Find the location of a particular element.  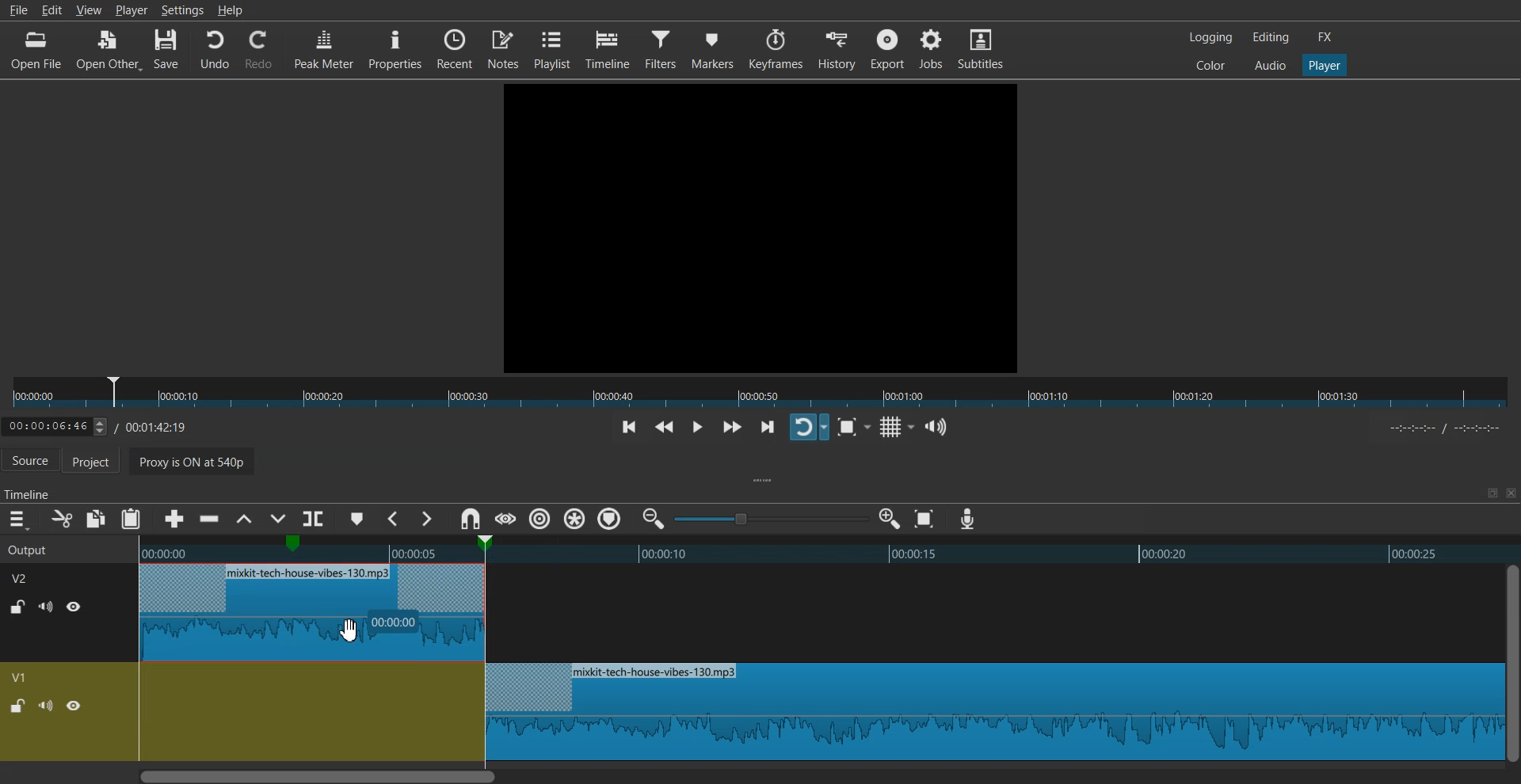

Timeline is located at coordinates (609, 49).